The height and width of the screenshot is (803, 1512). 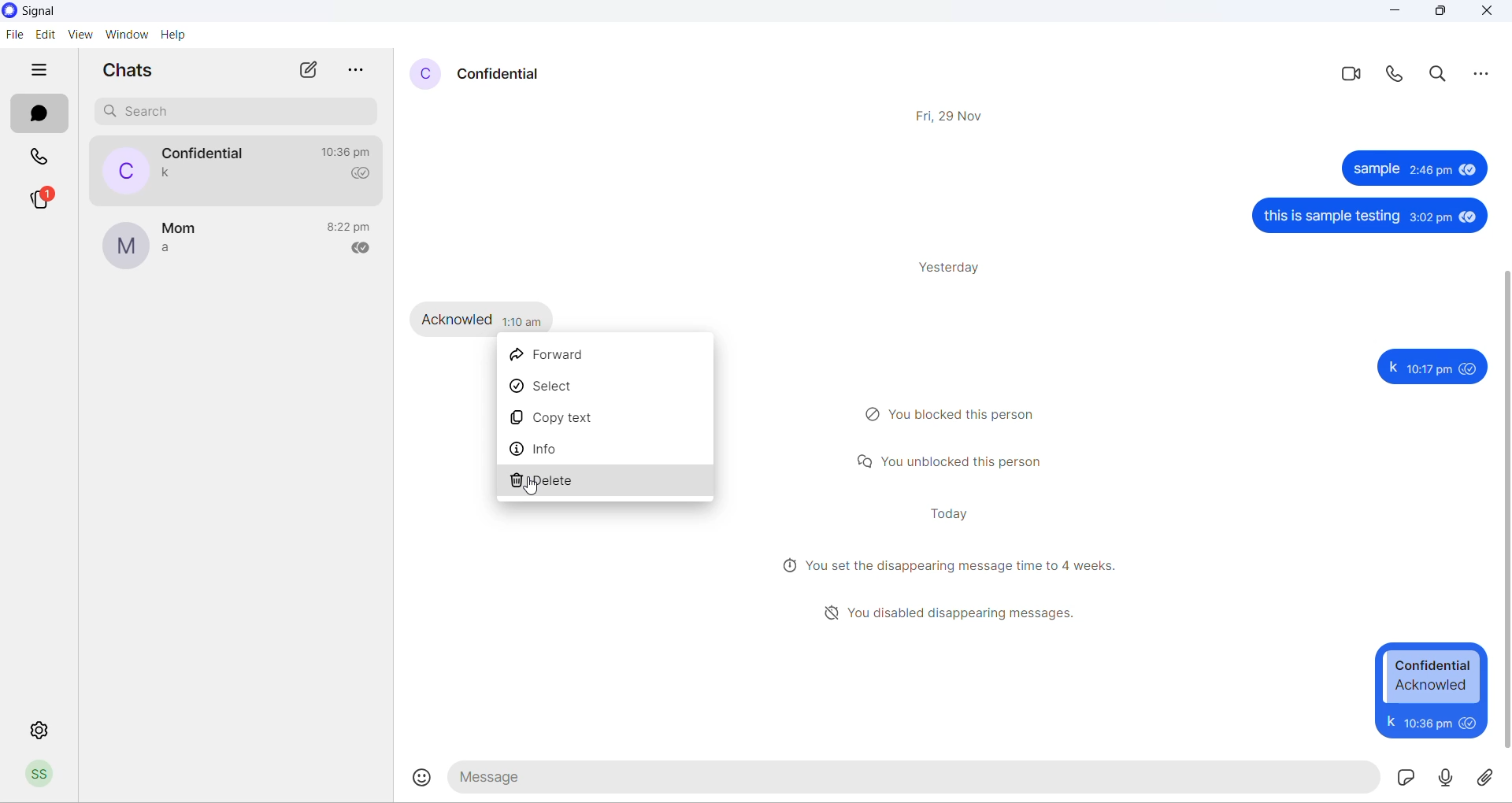 I want to click on voice call, so click(x=1399, y=71).